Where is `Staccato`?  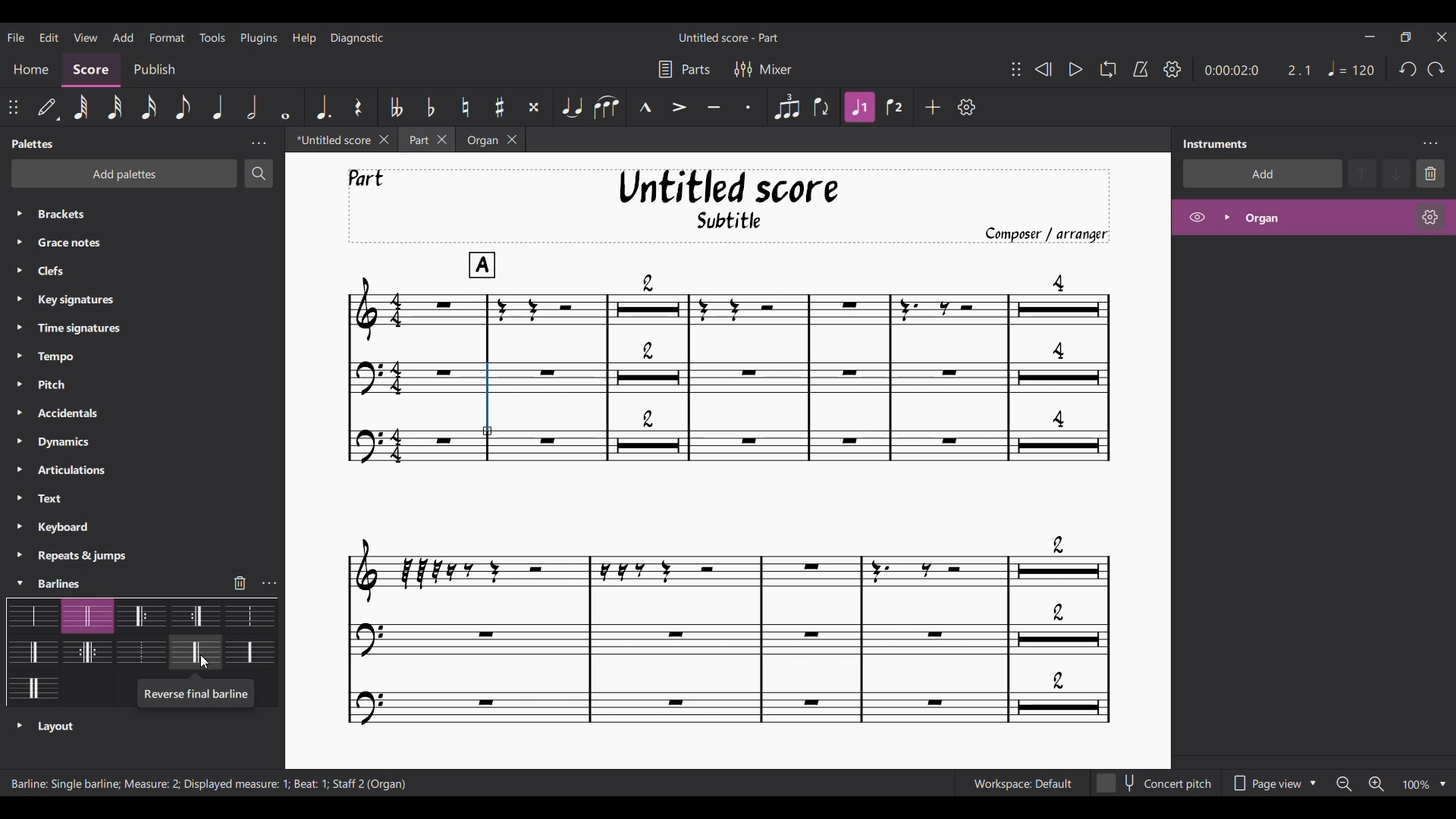 Staccato is located at coordinates (748, 106).